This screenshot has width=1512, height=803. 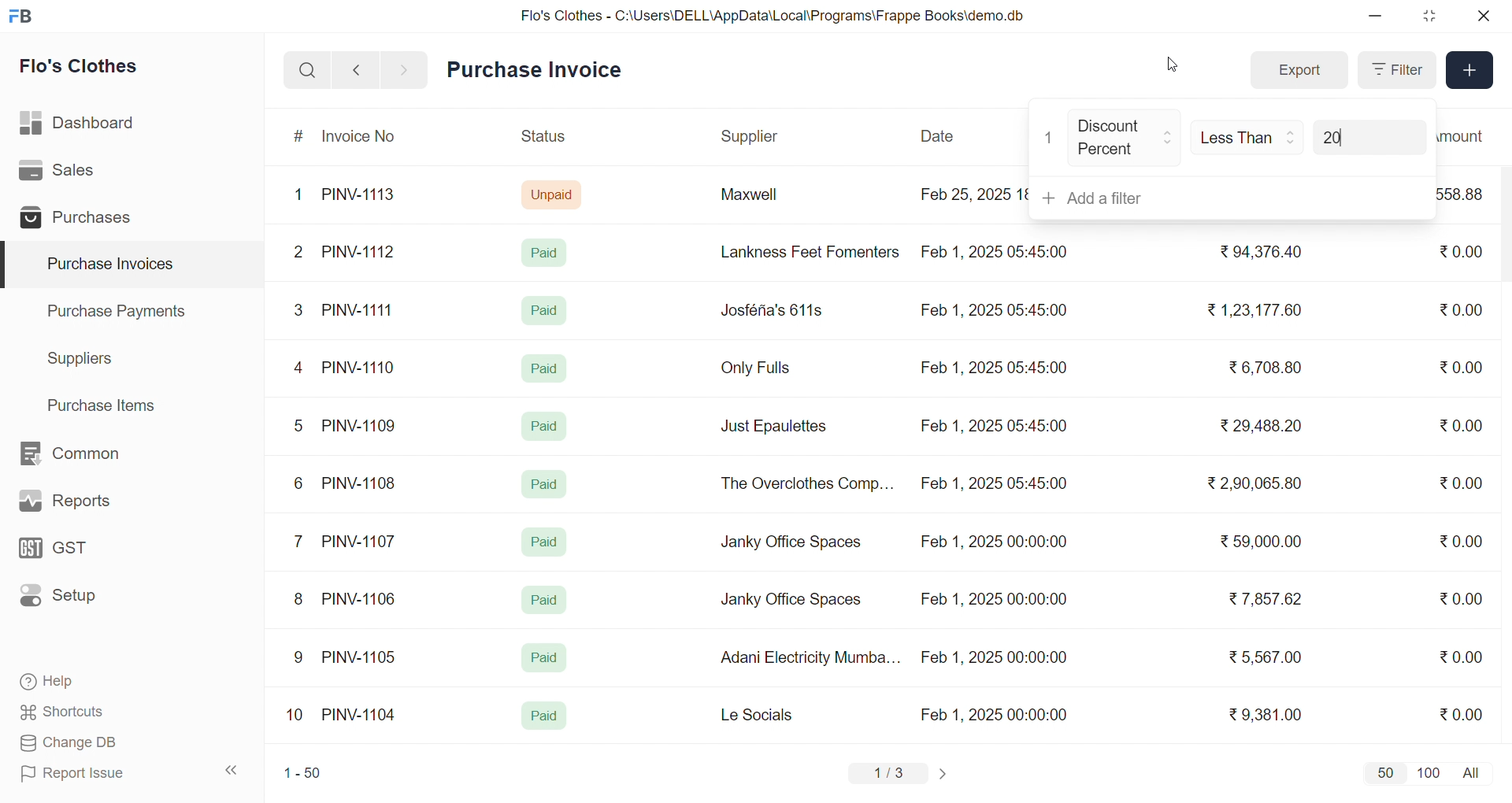 I want to click on Feb 1, 2025 00:00:00, so click(x=996, y=714).